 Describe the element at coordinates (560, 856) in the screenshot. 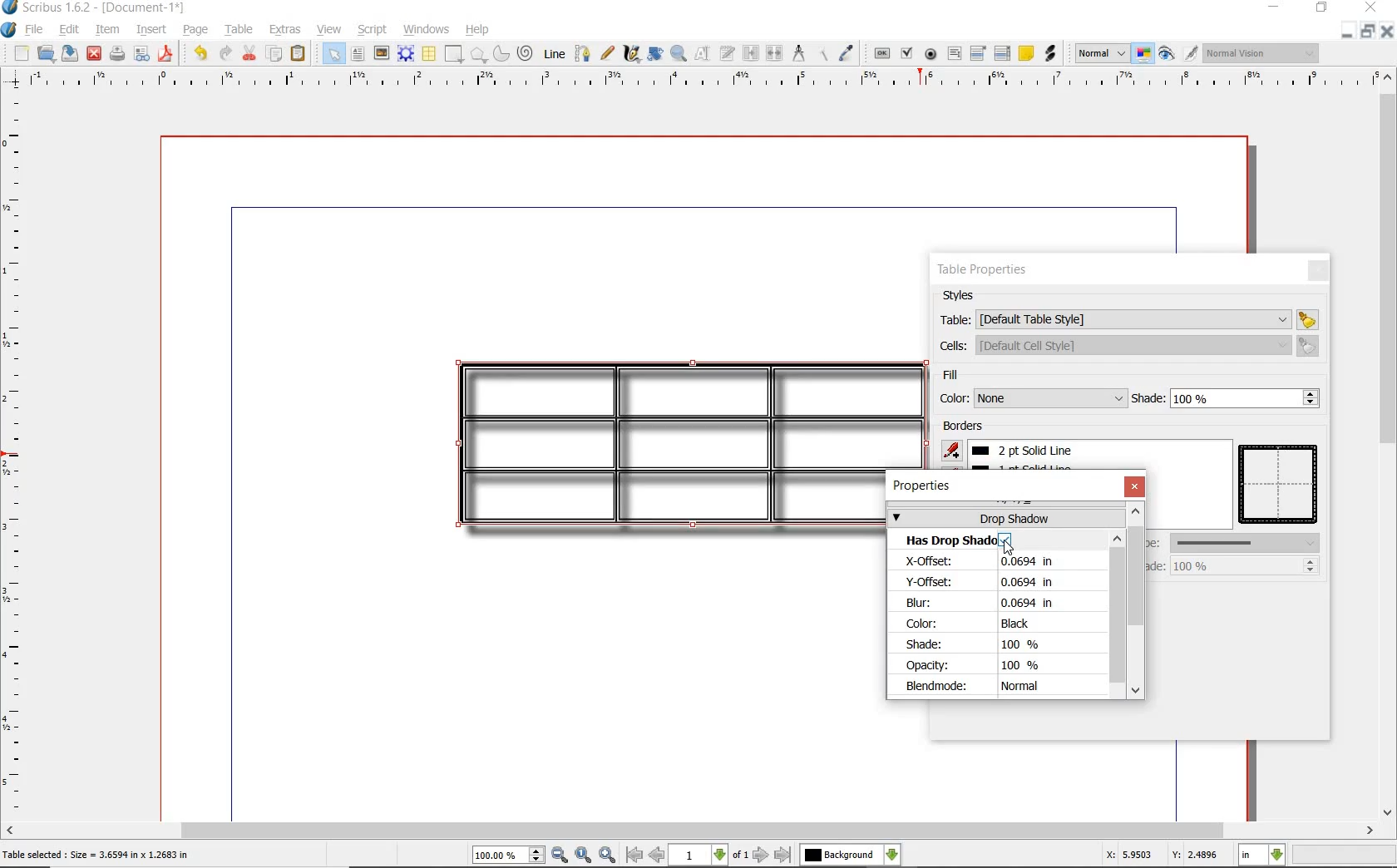

I see `zoom out` at that location.